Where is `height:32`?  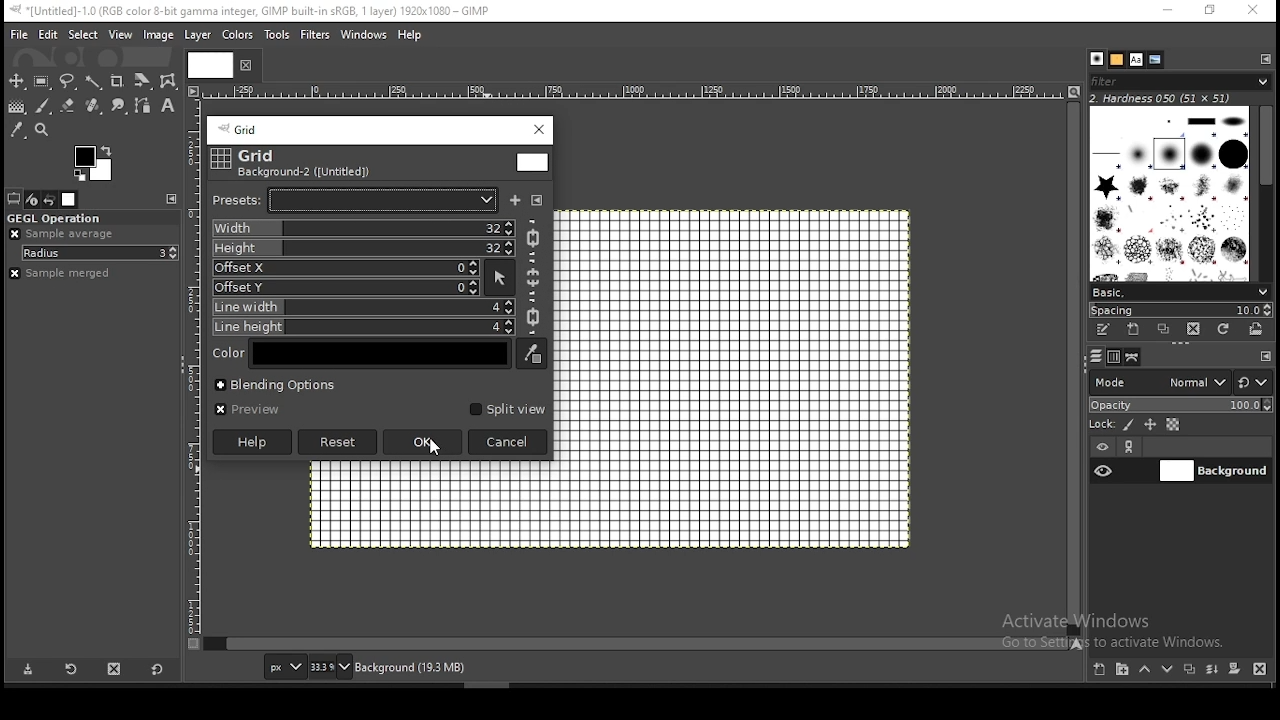 height:32 is located at coordinates (363, 248).